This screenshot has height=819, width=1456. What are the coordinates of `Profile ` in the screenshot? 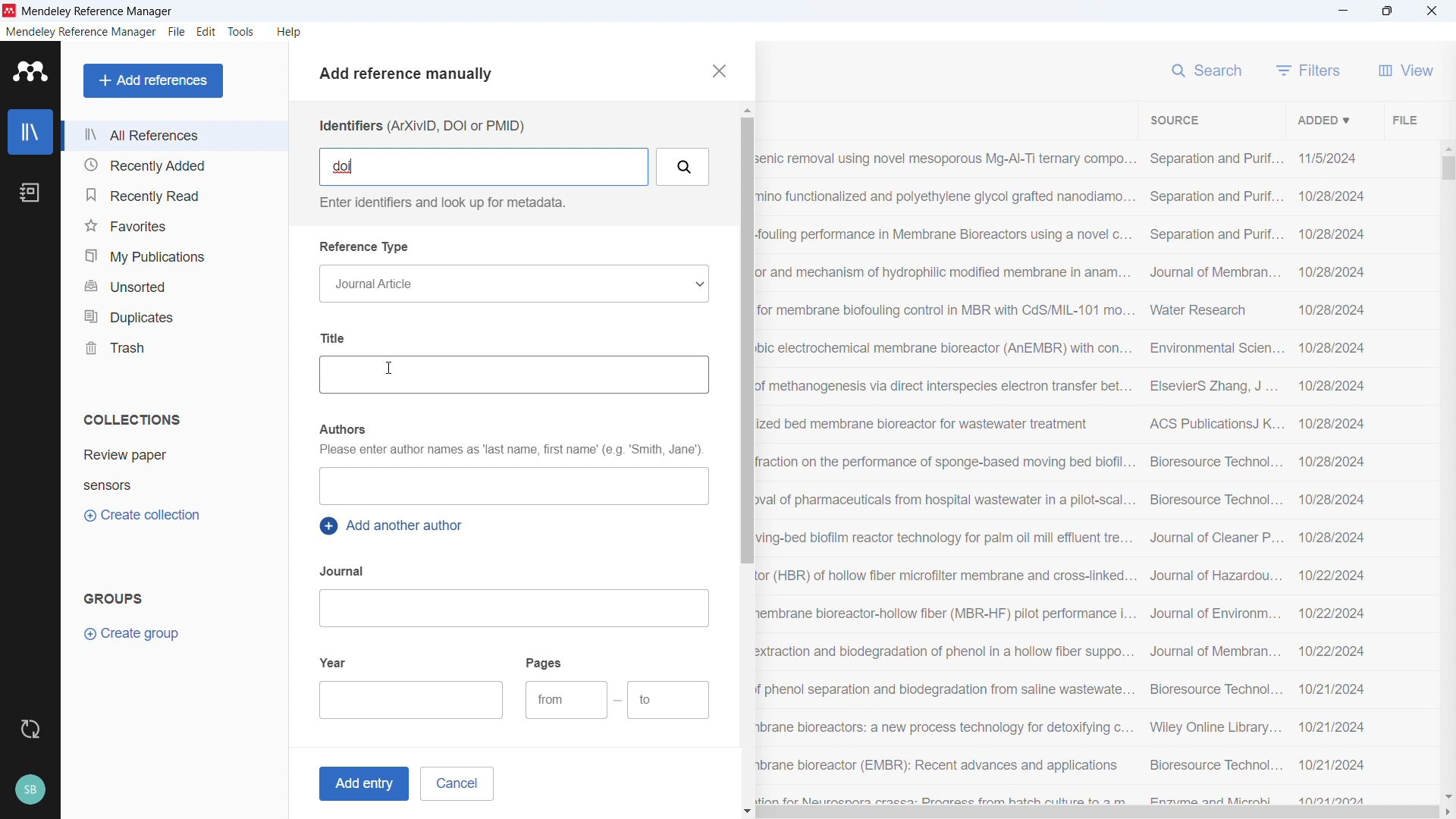 It's located at (30, 790).